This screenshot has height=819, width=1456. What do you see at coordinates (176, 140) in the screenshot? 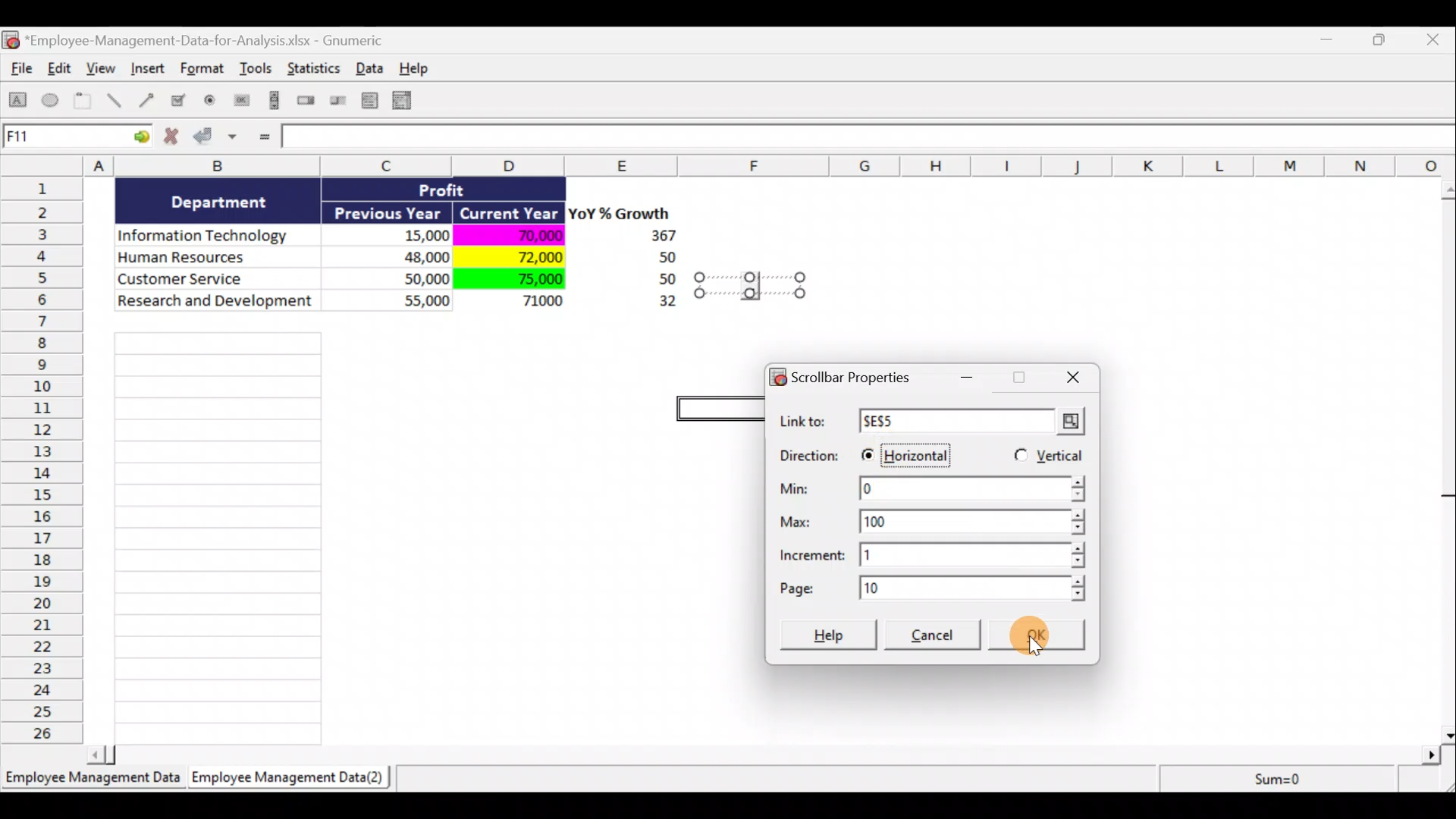
I see `Cancel change` at bounding box center [176, 140].